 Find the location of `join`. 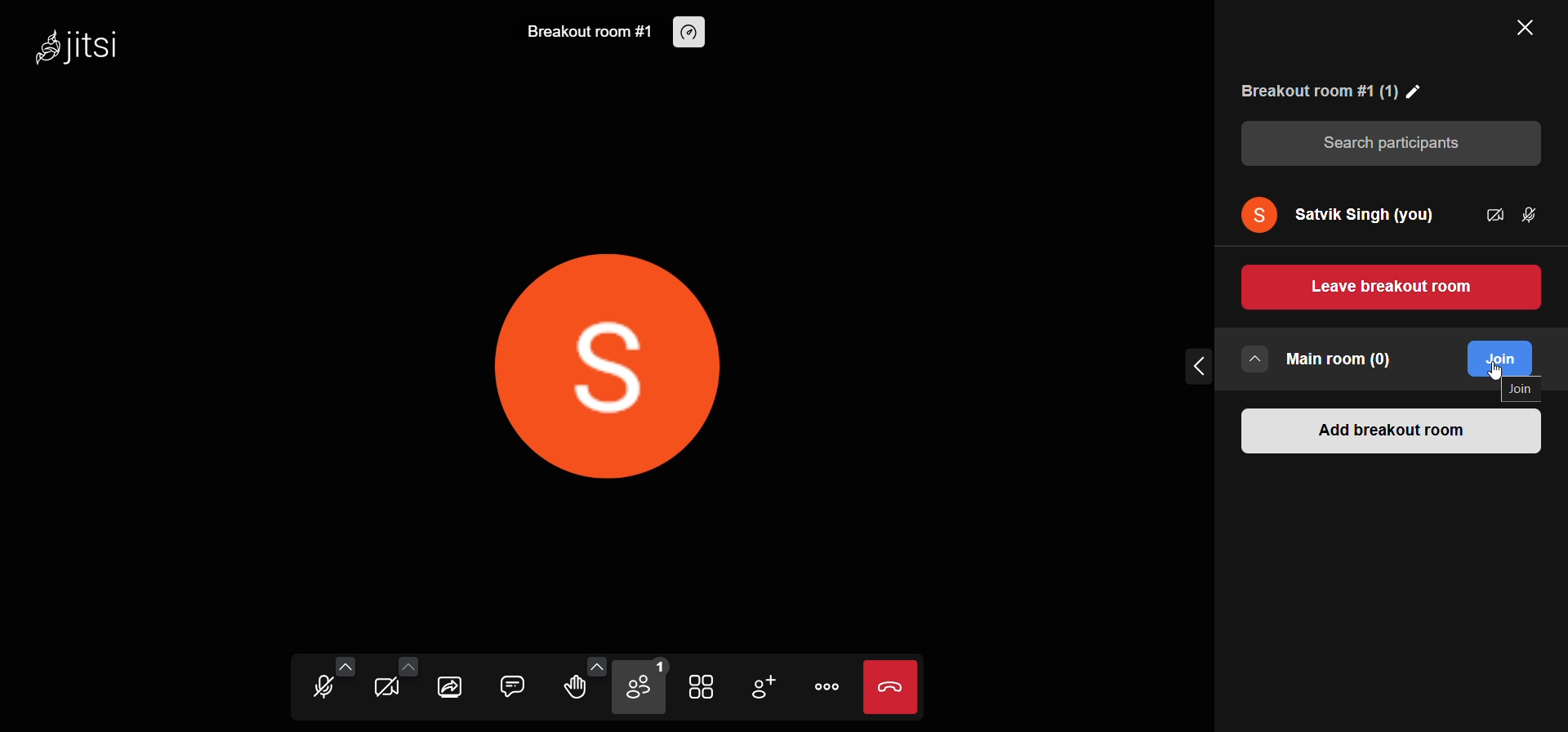

join is located at coordinates (1519, 395).